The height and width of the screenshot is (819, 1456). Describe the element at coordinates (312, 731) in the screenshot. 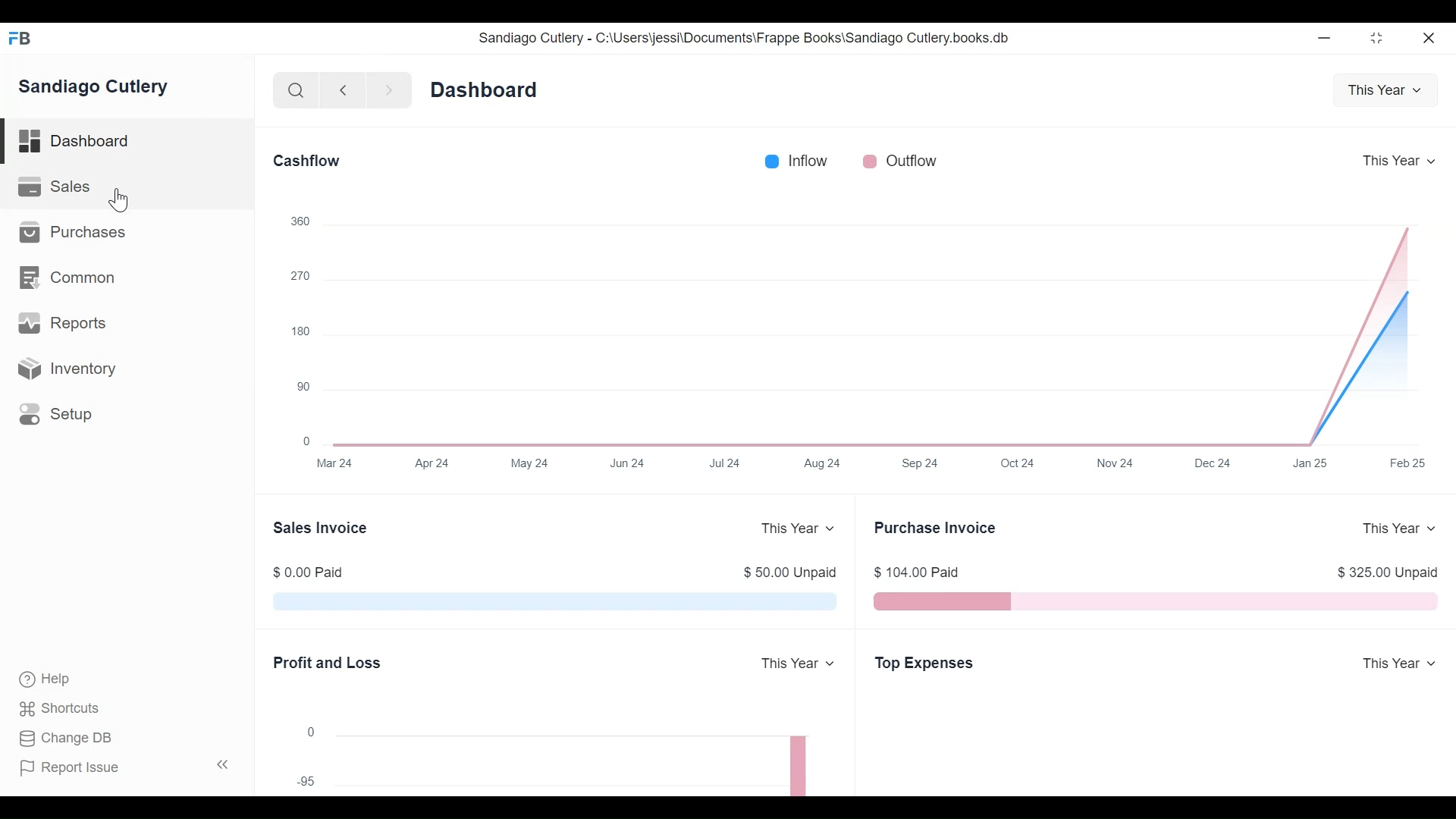

I see `0` at that location.